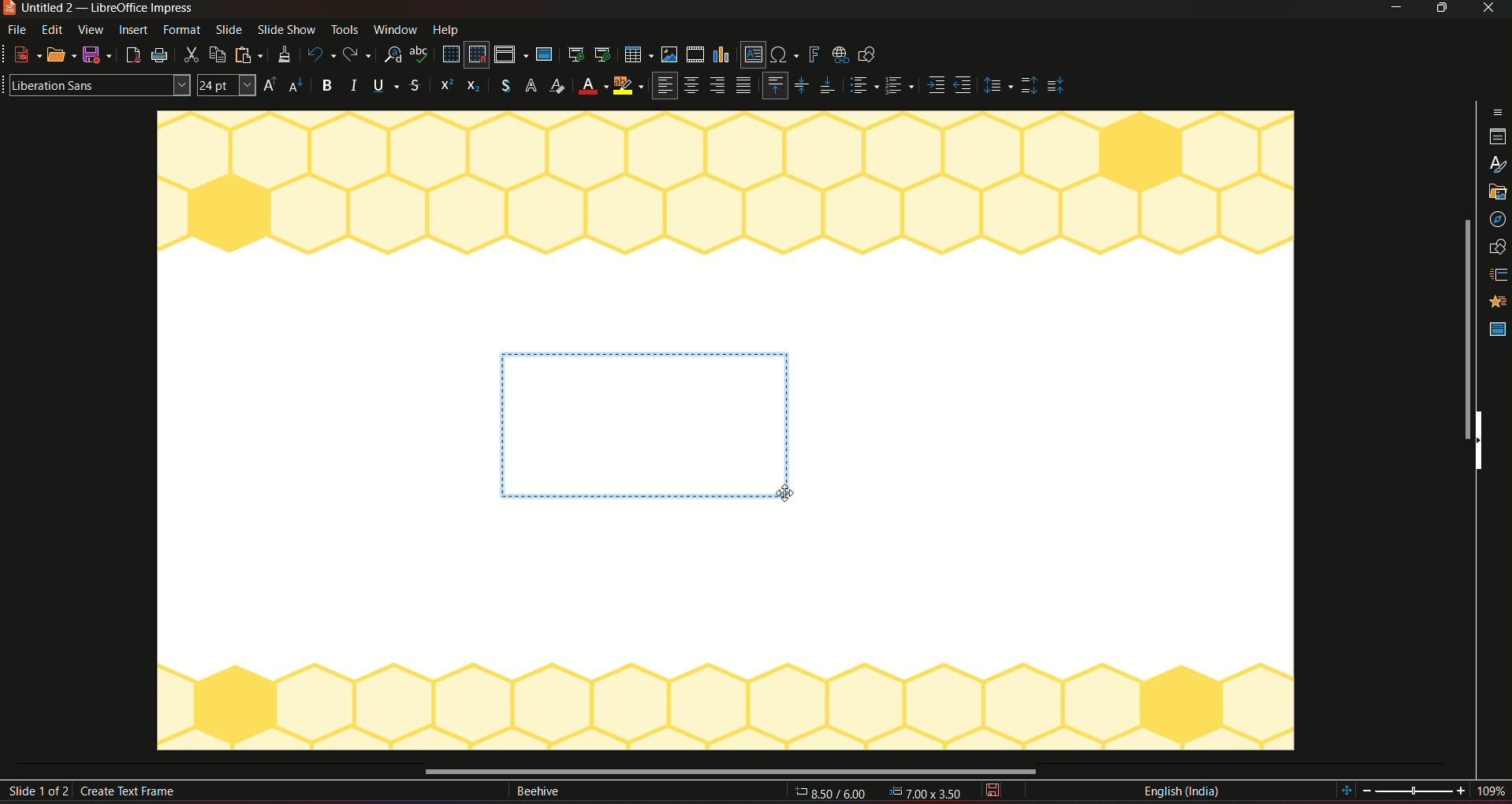 This screenshot has width=1512, height=804. What do you see at coordinates (862, 87) in the screenshot?
I see `paragraph style 1` at bounding box center [862, 87].